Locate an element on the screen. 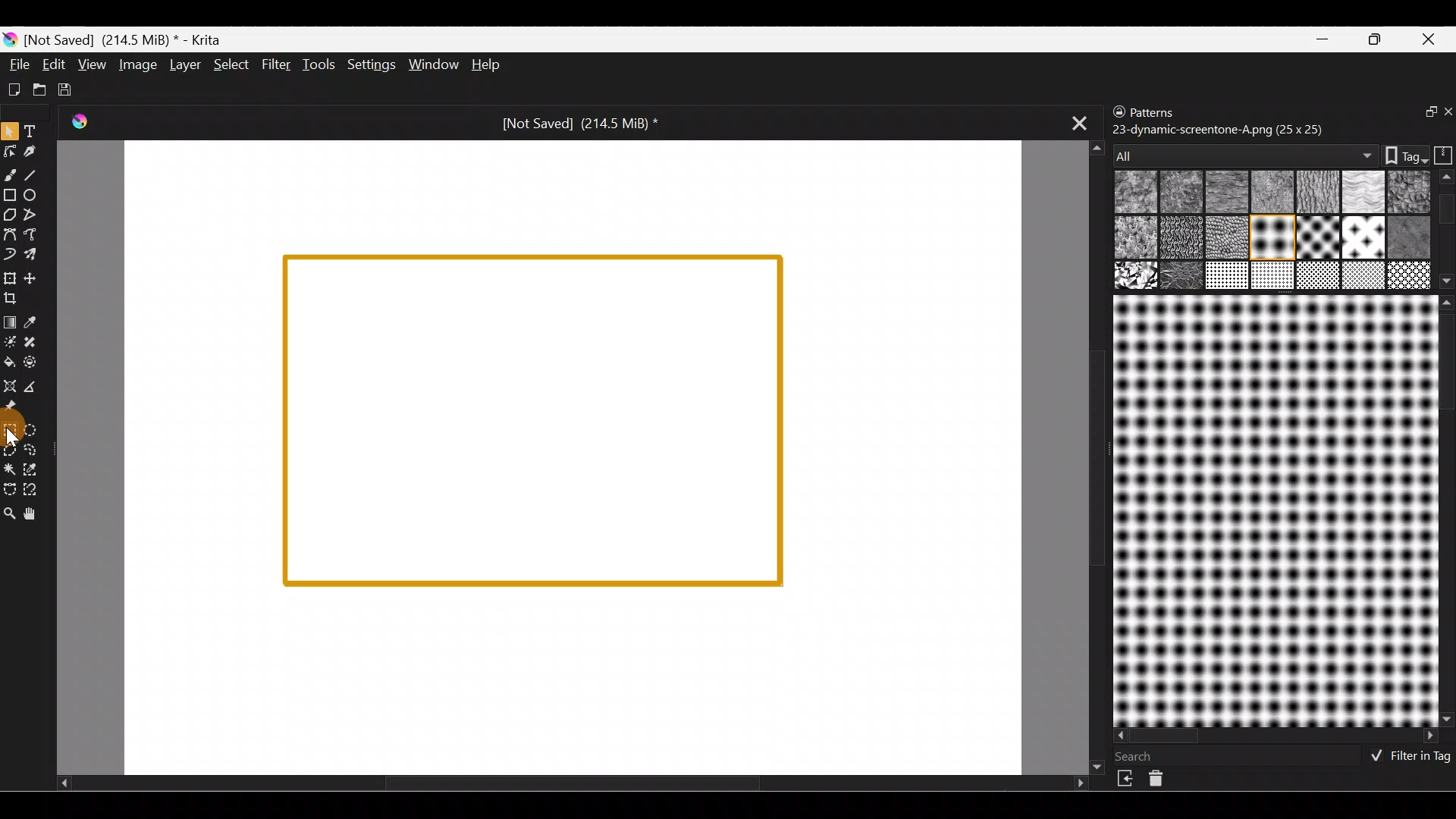  19 texture_crackle.png is located at coordinates (1364, 276).